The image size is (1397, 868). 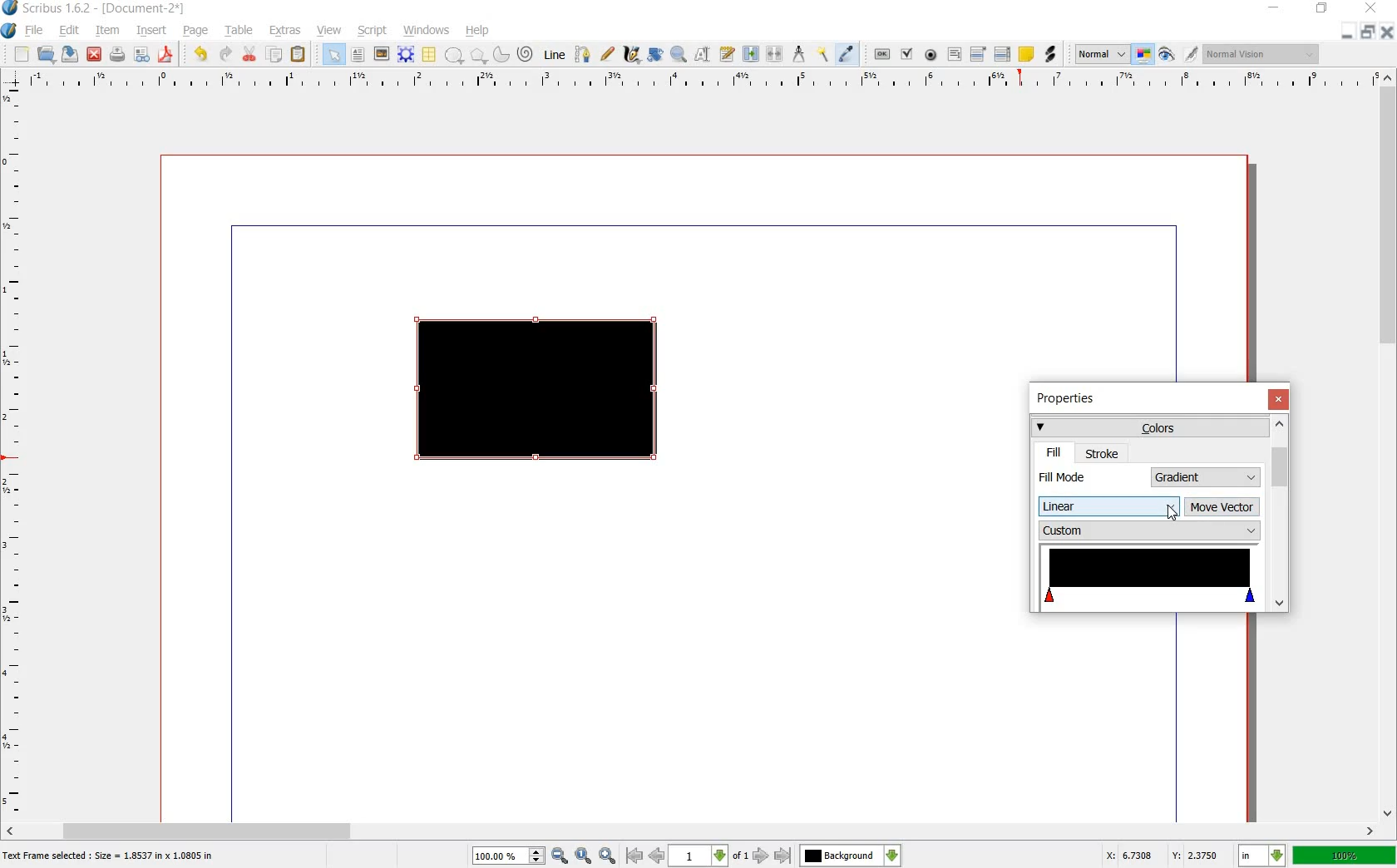 I want to click on preflight verifier, so click(x=141, y=55).